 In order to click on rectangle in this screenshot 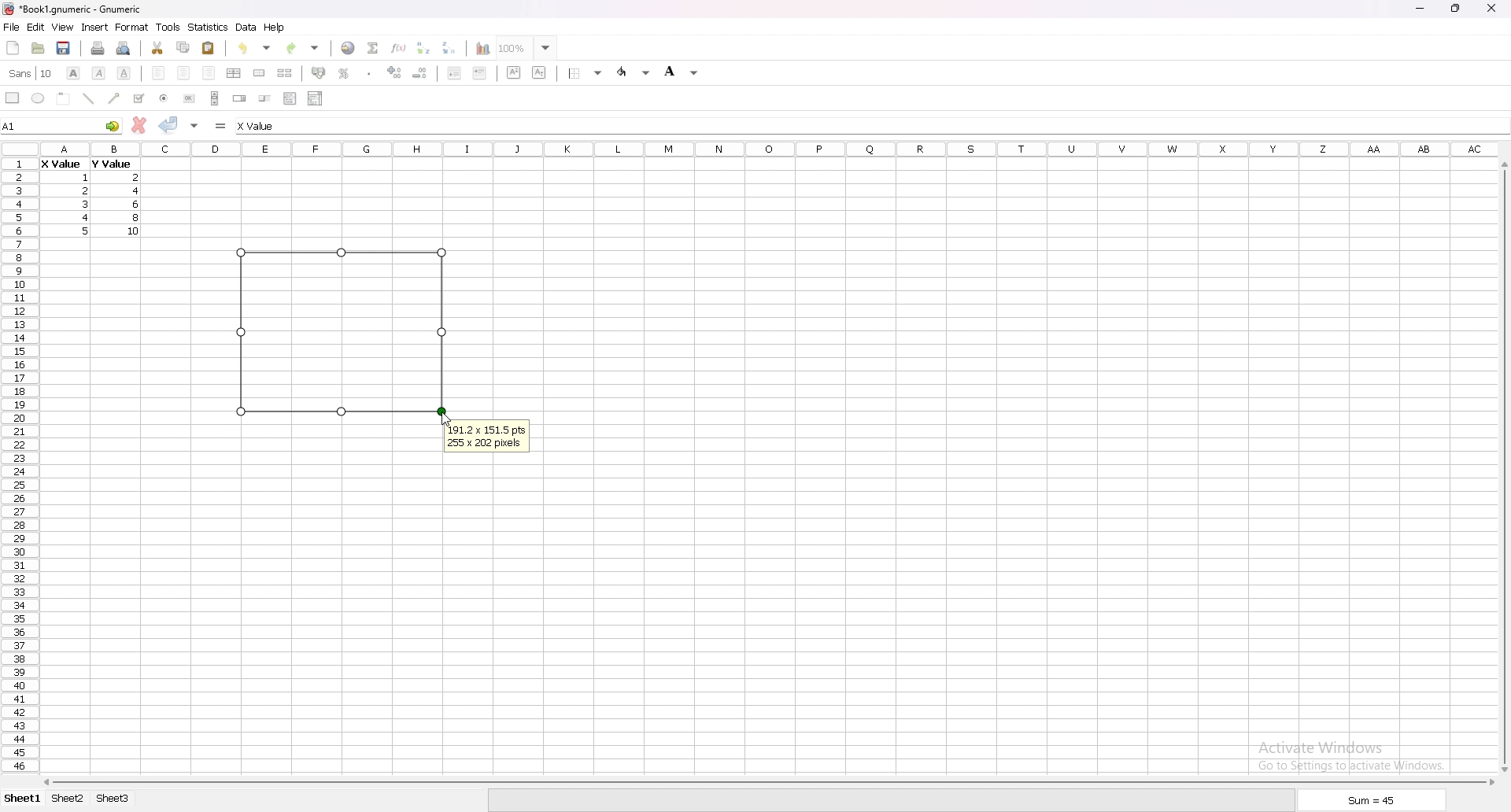, I will do `click(13, 97)`.